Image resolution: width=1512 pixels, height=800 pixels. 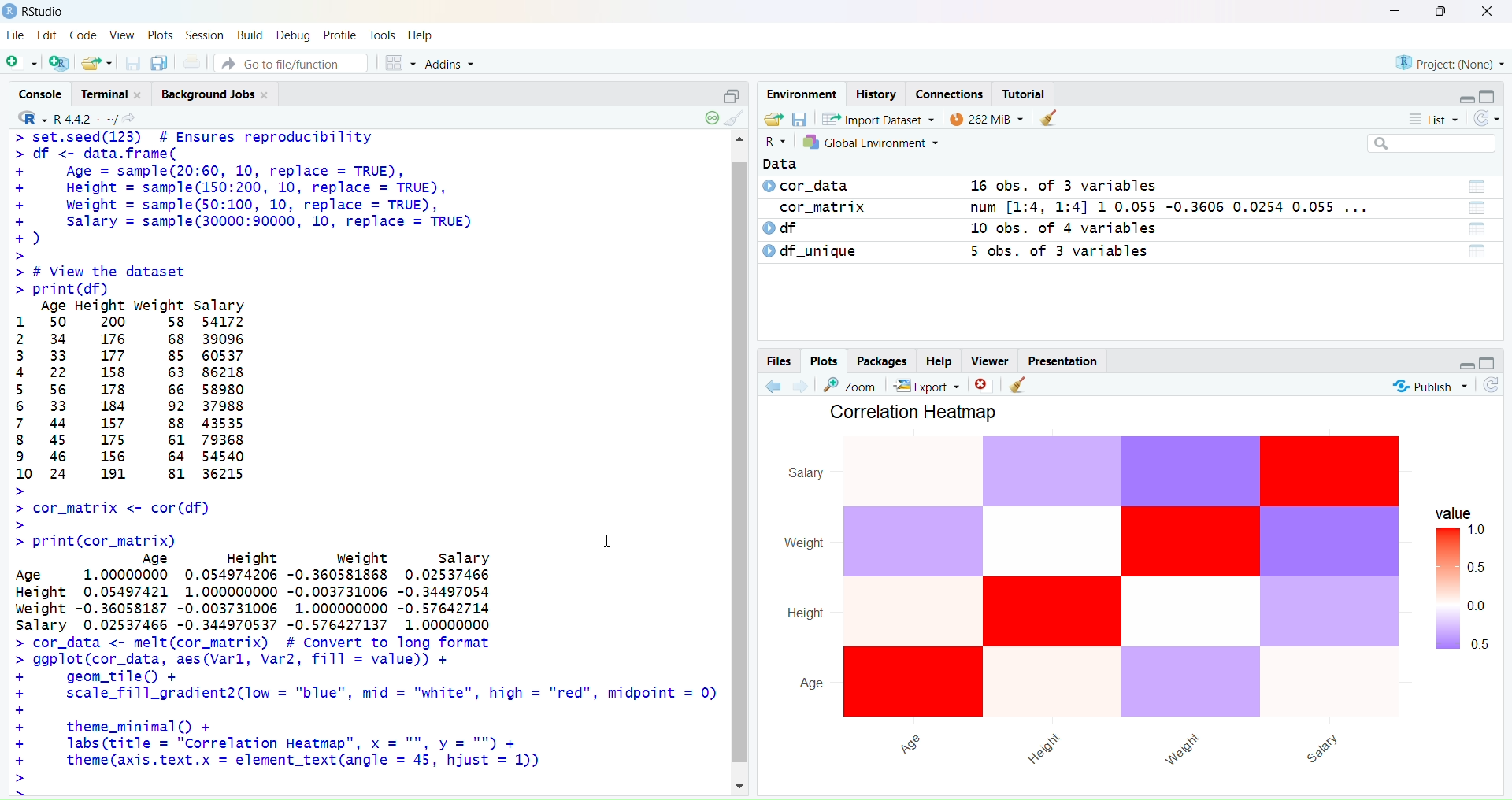 What do you see at coordinates (1485, 13) in the screenshot?
I see `Close` at bounding box center [1485, 13].